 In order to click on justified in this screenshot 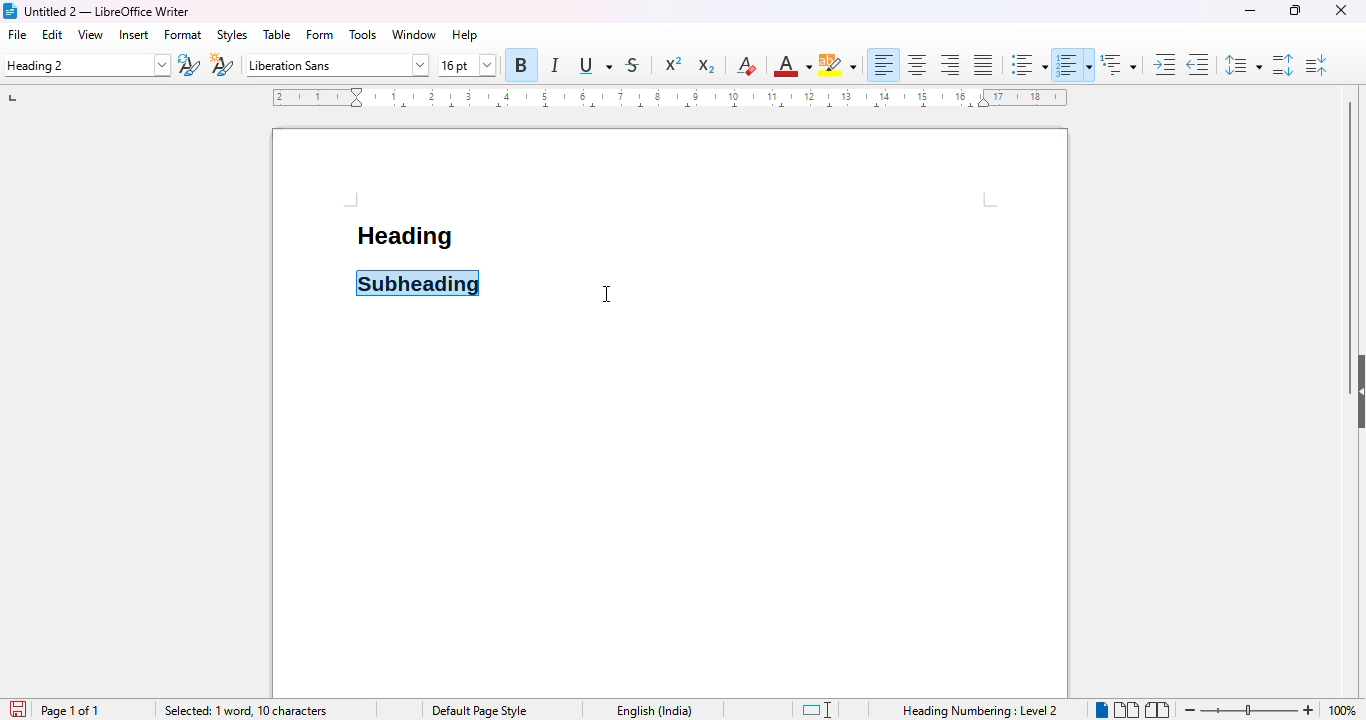, I will do `click(983, 64)`.